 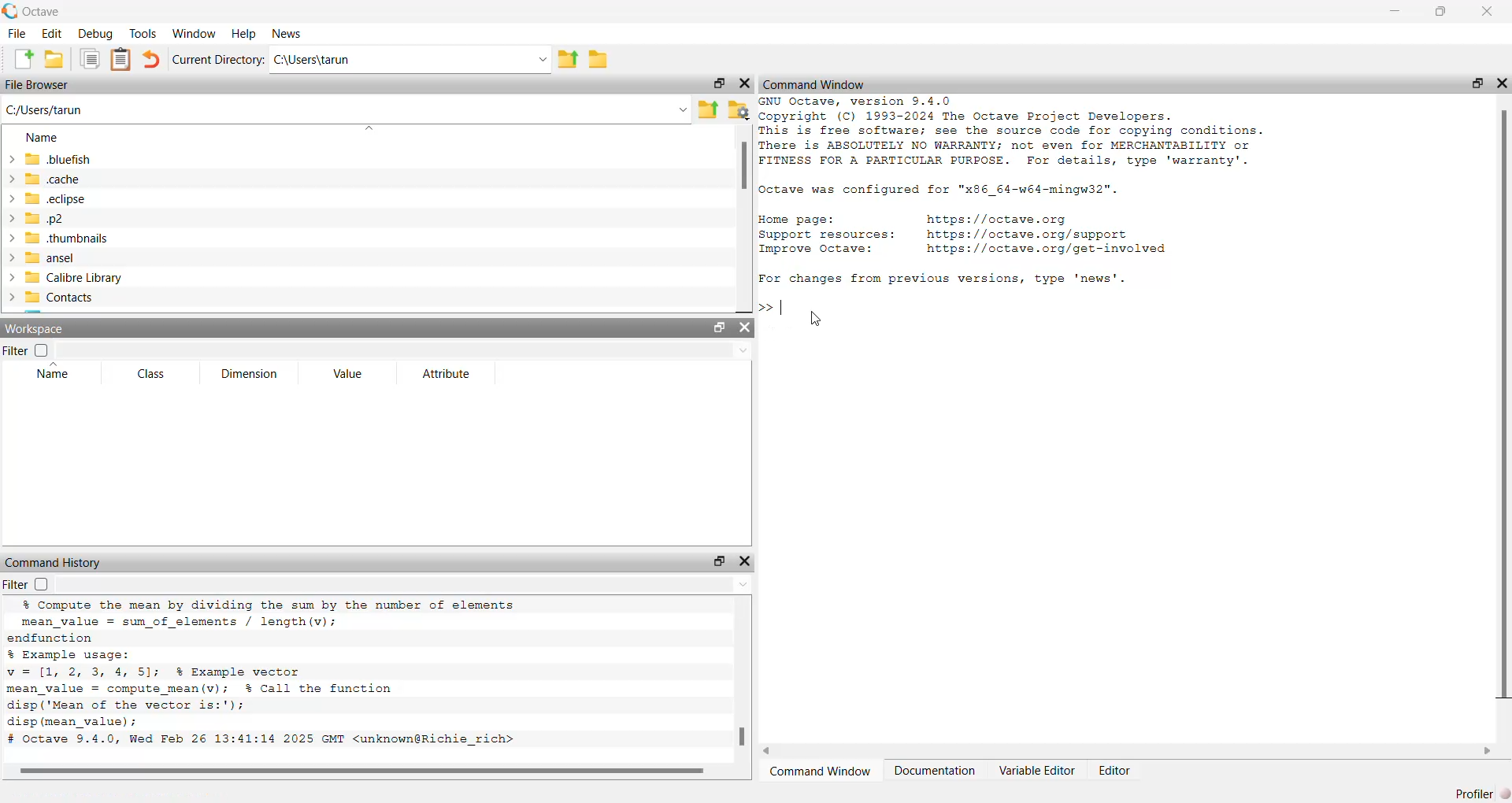 What do you see at coordinates (936, 770) in the screenshot?
I see `Documentation` at bounding box center [936, 770].